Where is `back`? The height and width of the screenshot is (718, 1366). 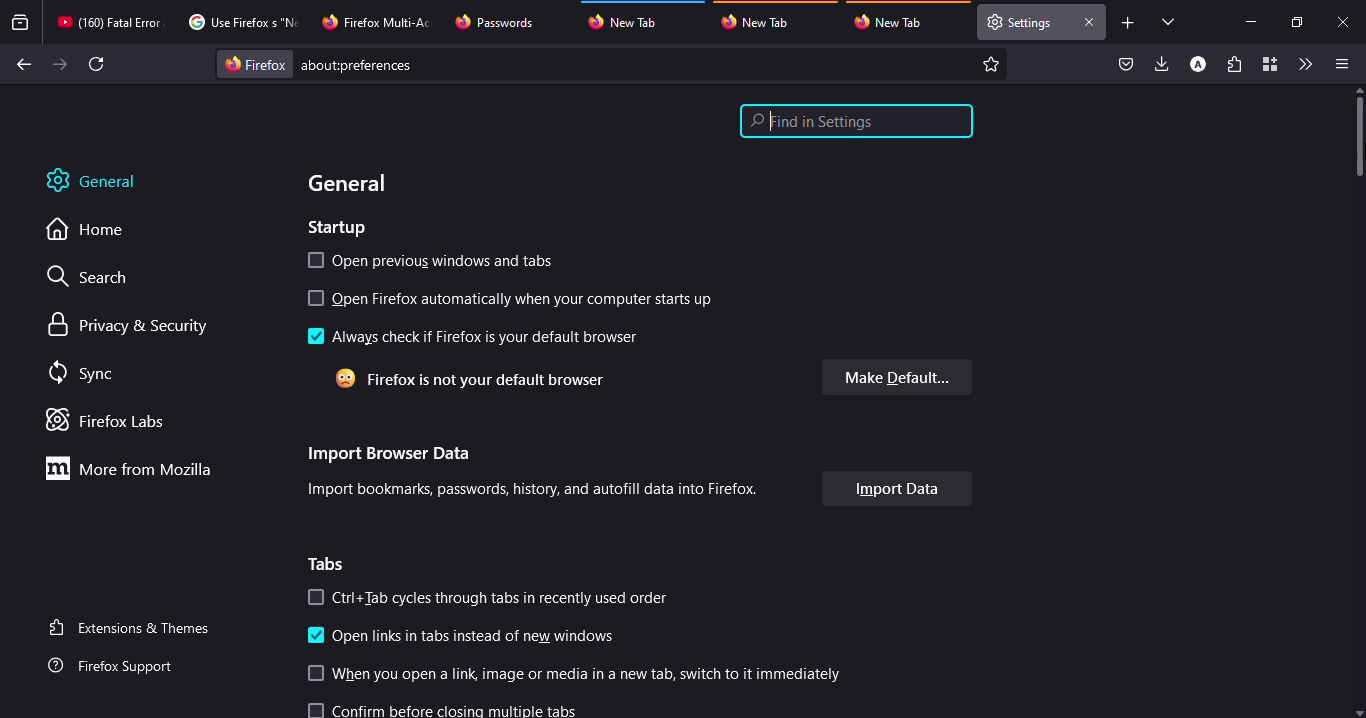
back is located at coordinates (21, 65).